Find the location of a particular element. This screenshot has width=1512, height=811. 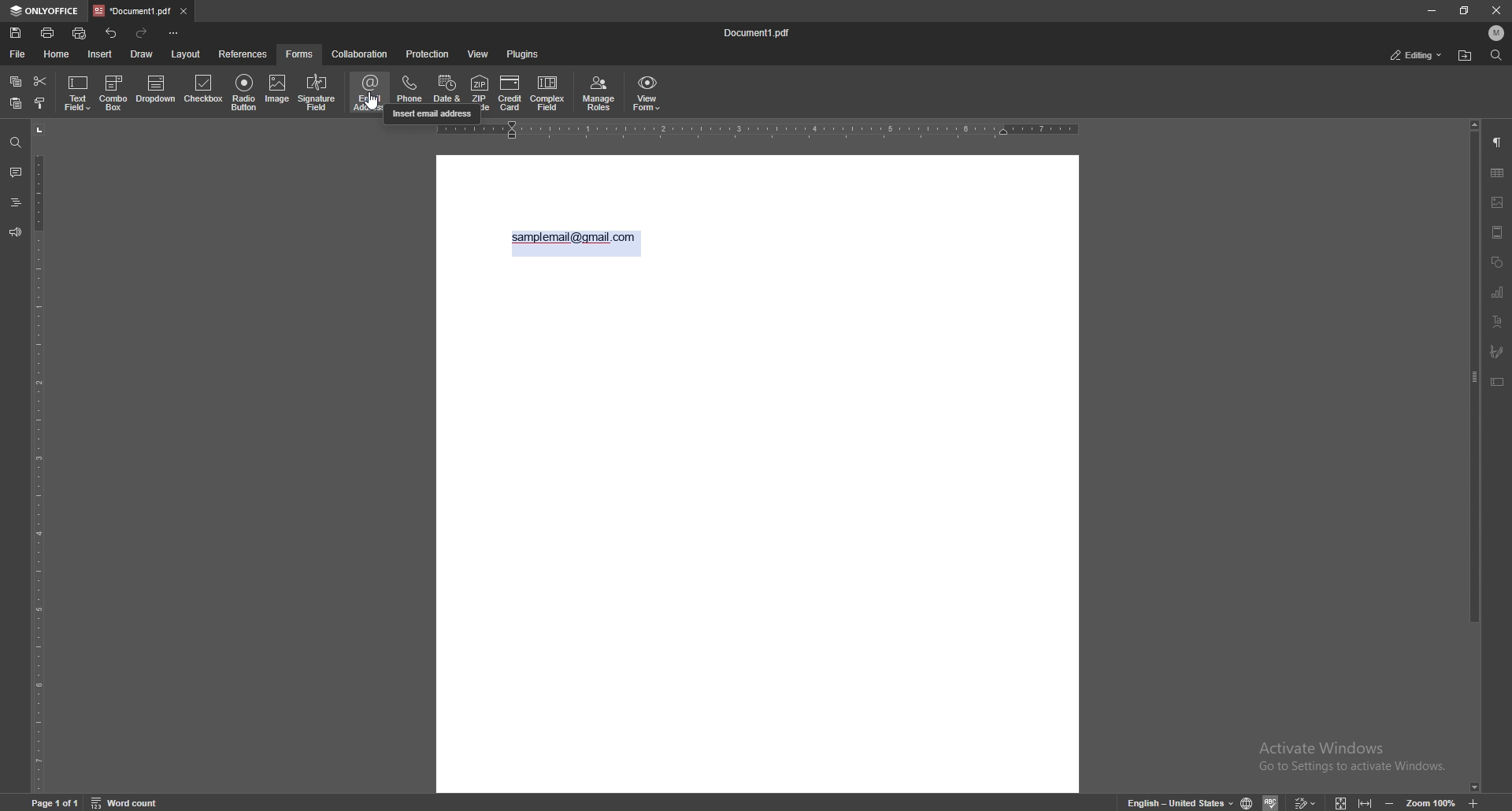

text is located at coordinates (573, 238).